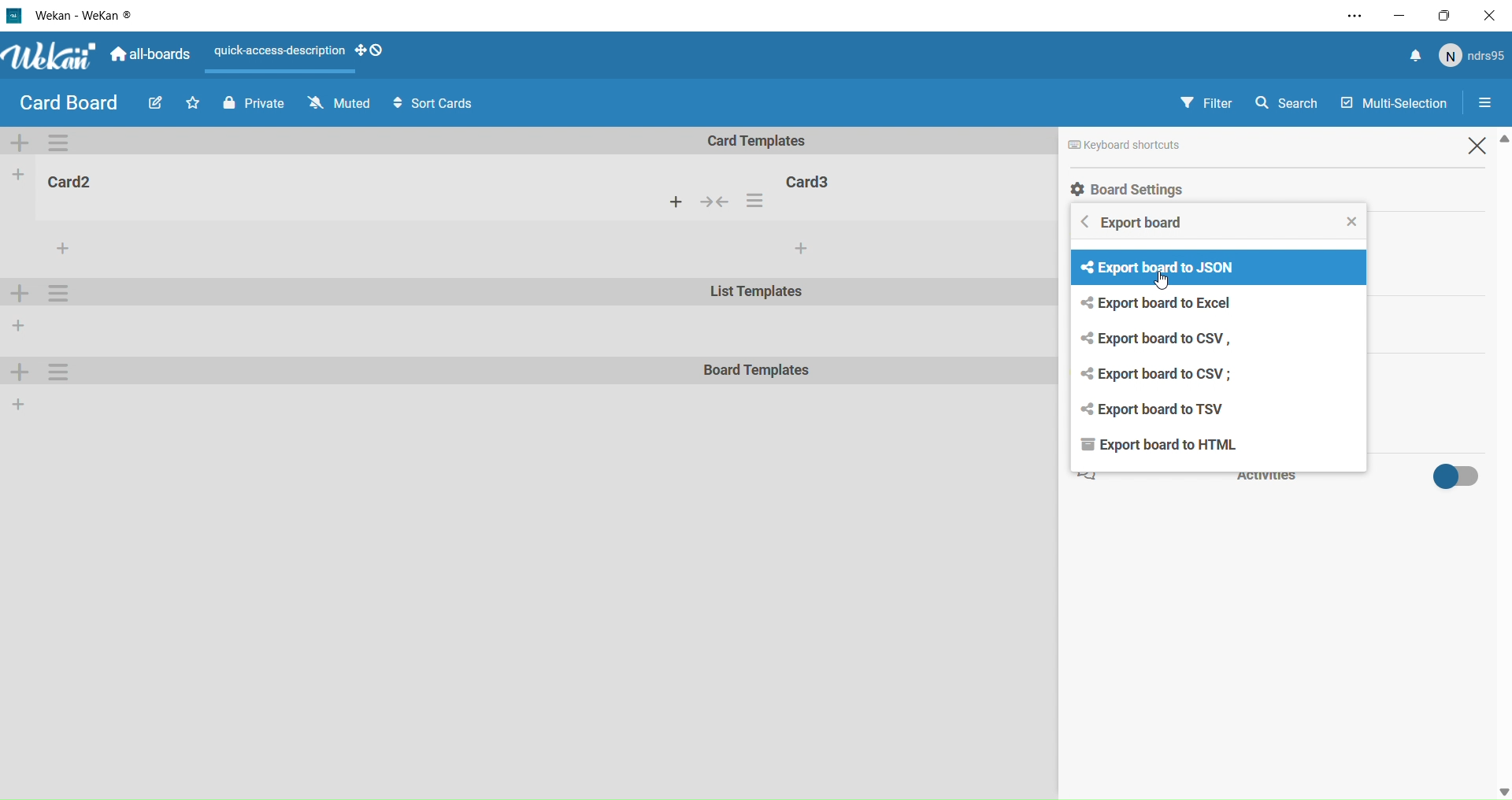 This screenshot has height=800, width=1512. Describe the element at coordinates (1481, 145) in the screenshot. I see `close` at that location.